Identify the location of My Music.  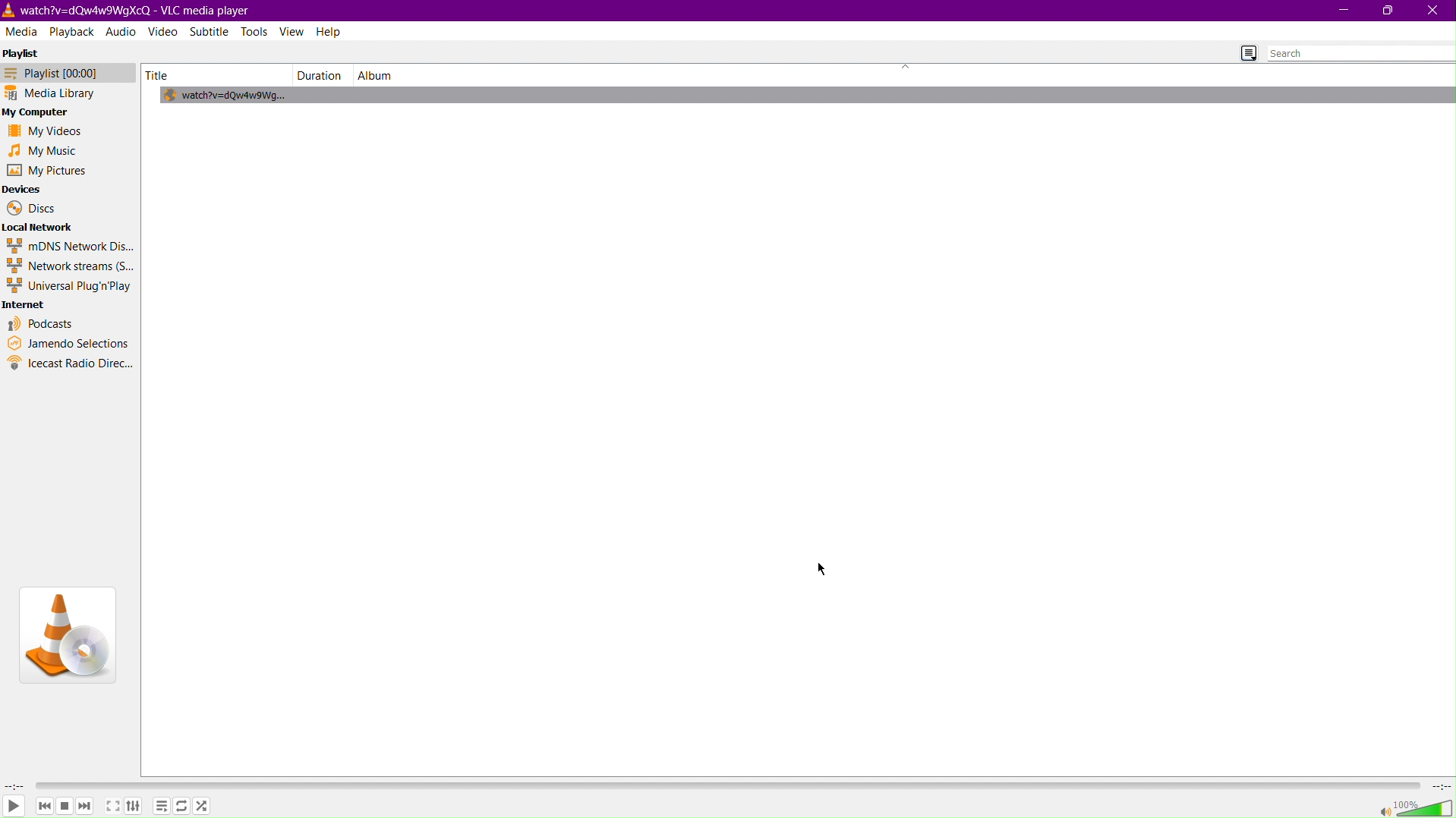
(49, 151).